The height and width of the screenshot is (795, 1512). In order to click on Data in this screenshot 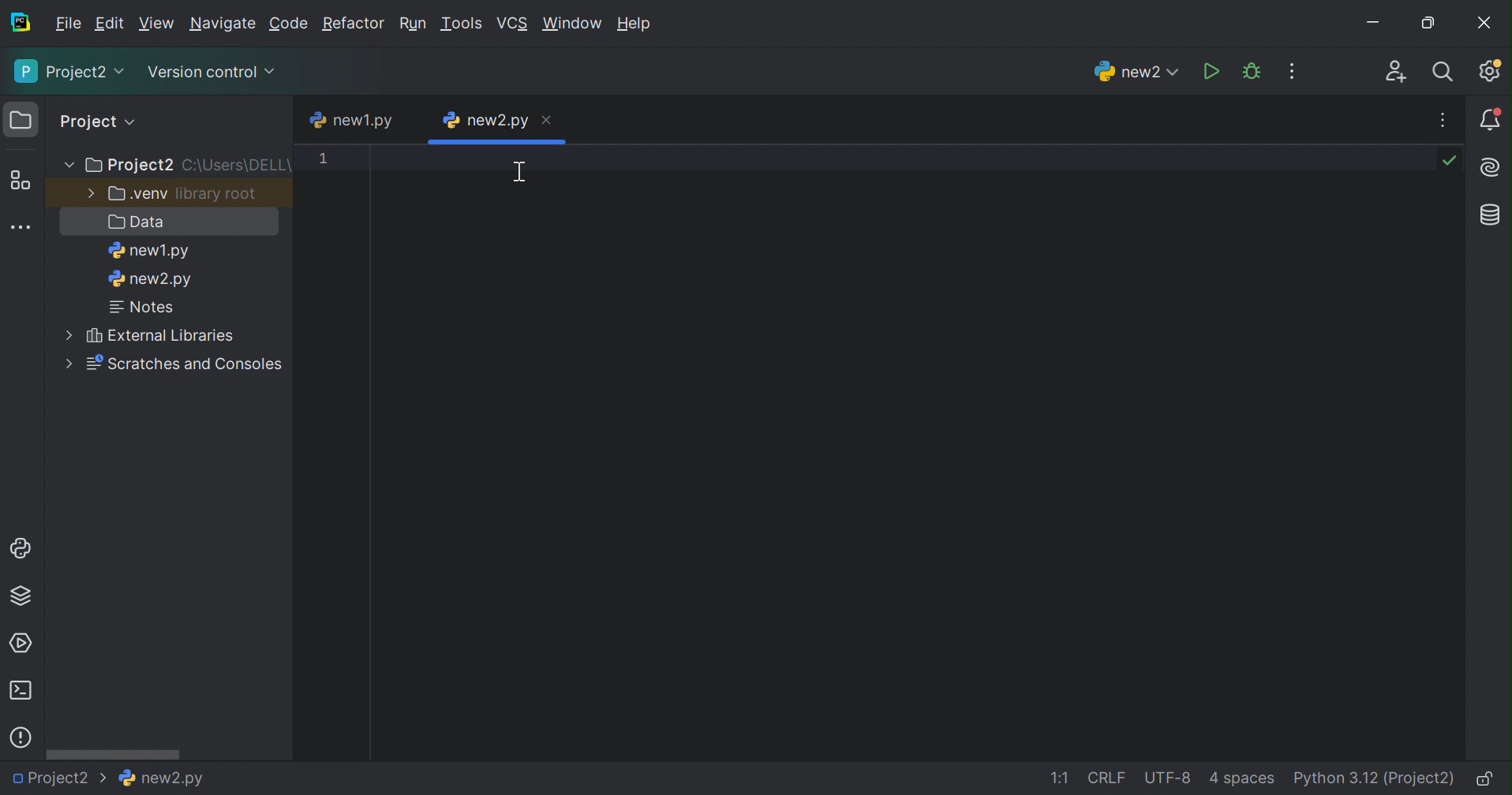, I will do `click(135, 222)`.